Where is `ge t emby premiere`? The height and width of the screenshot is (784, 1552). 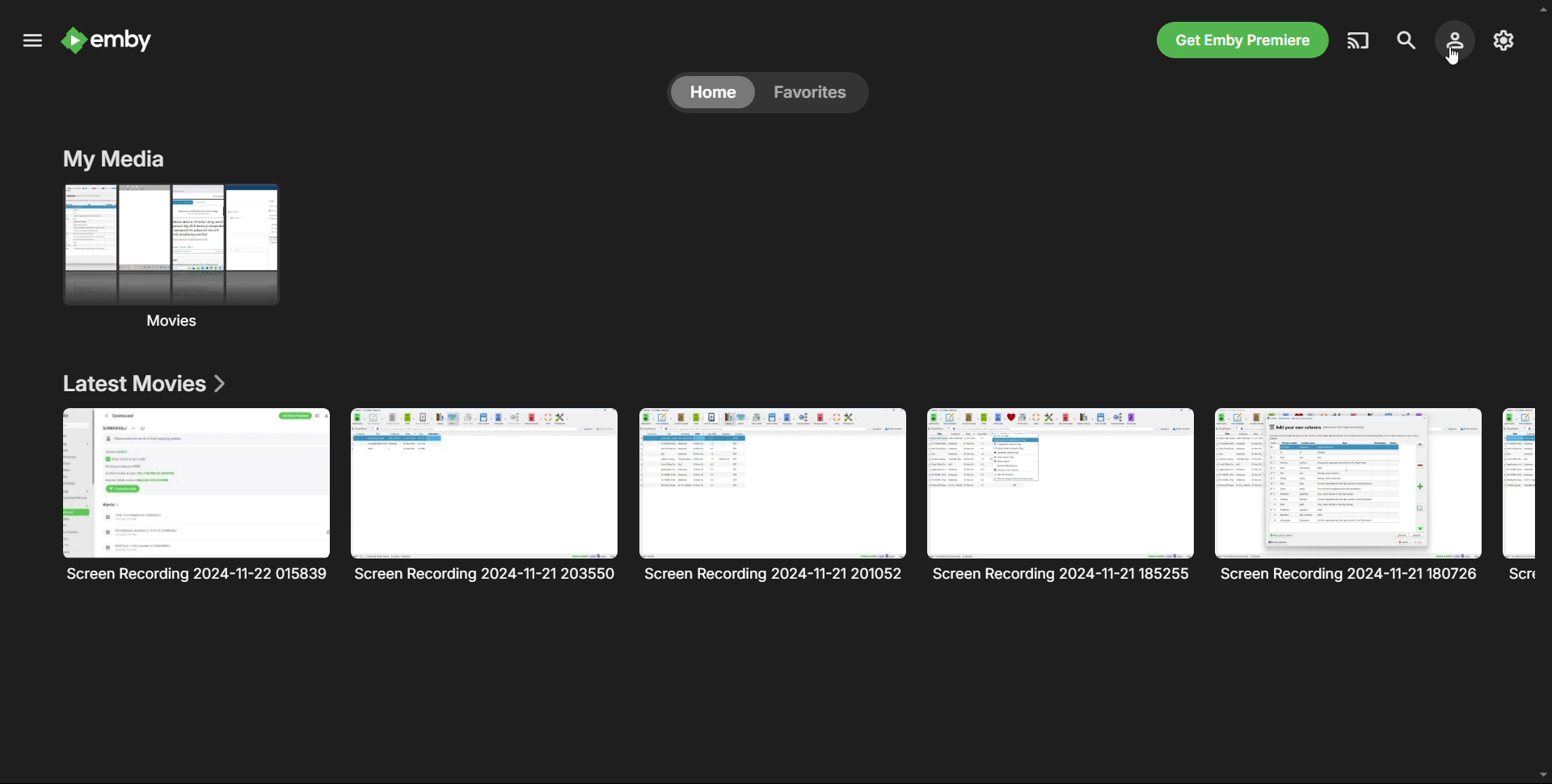
ge t emby premiere is located at coordinates (1242, 39).